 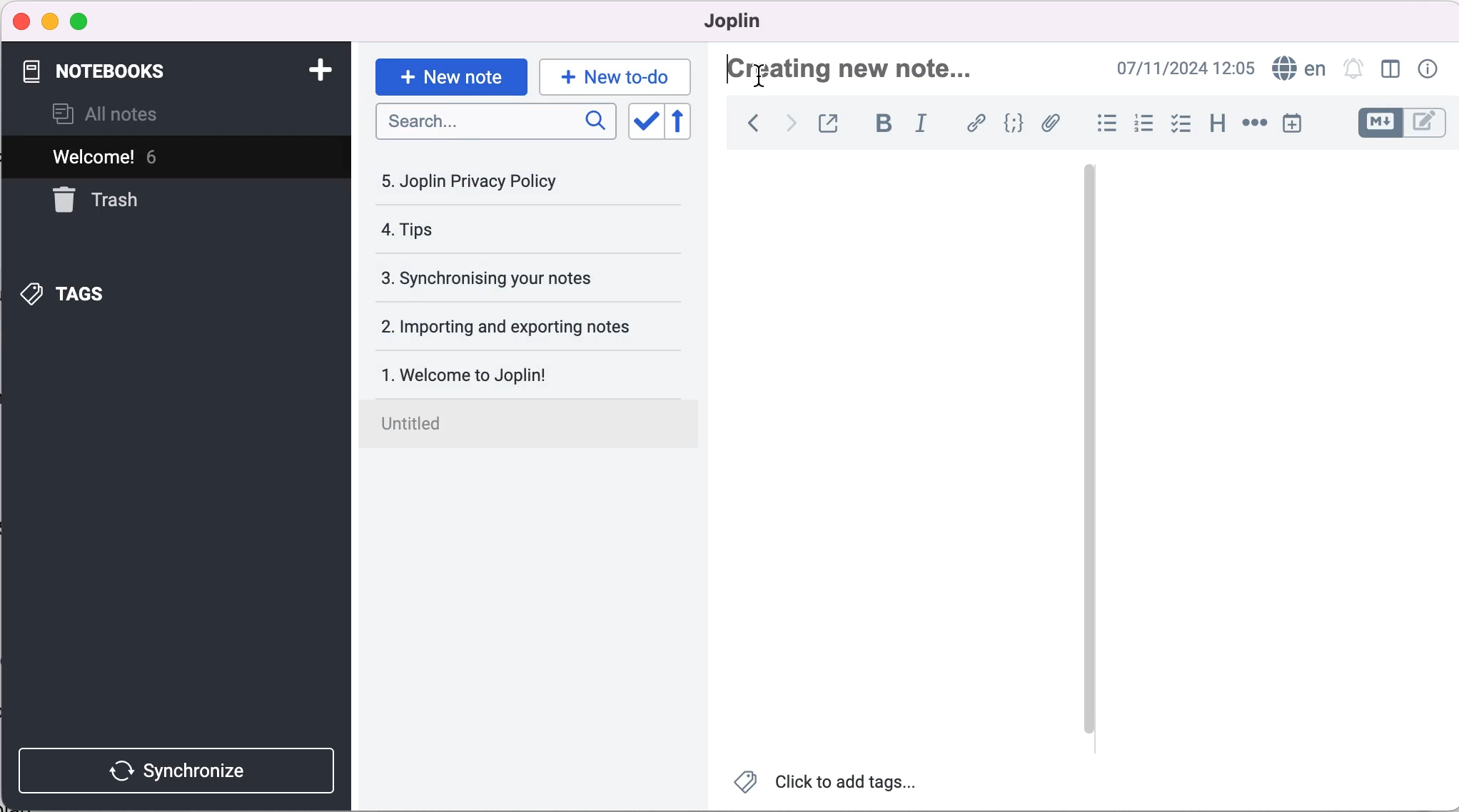 What do you see at coordinates (754, 23) in the screenshot?
I see `joplin` at bounding box center [754, 23].